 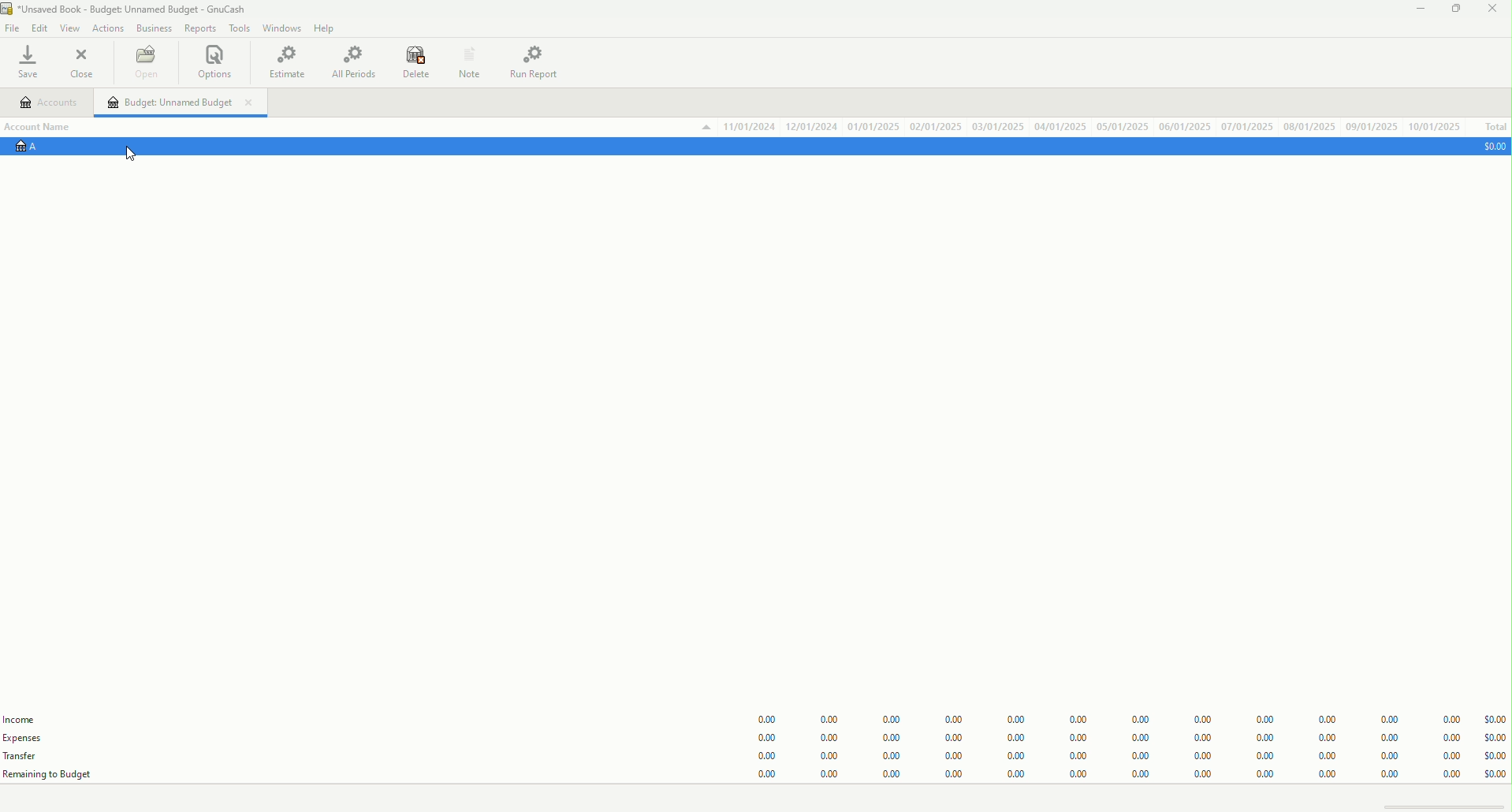 I want to click on File, so click(x=12, y=28).